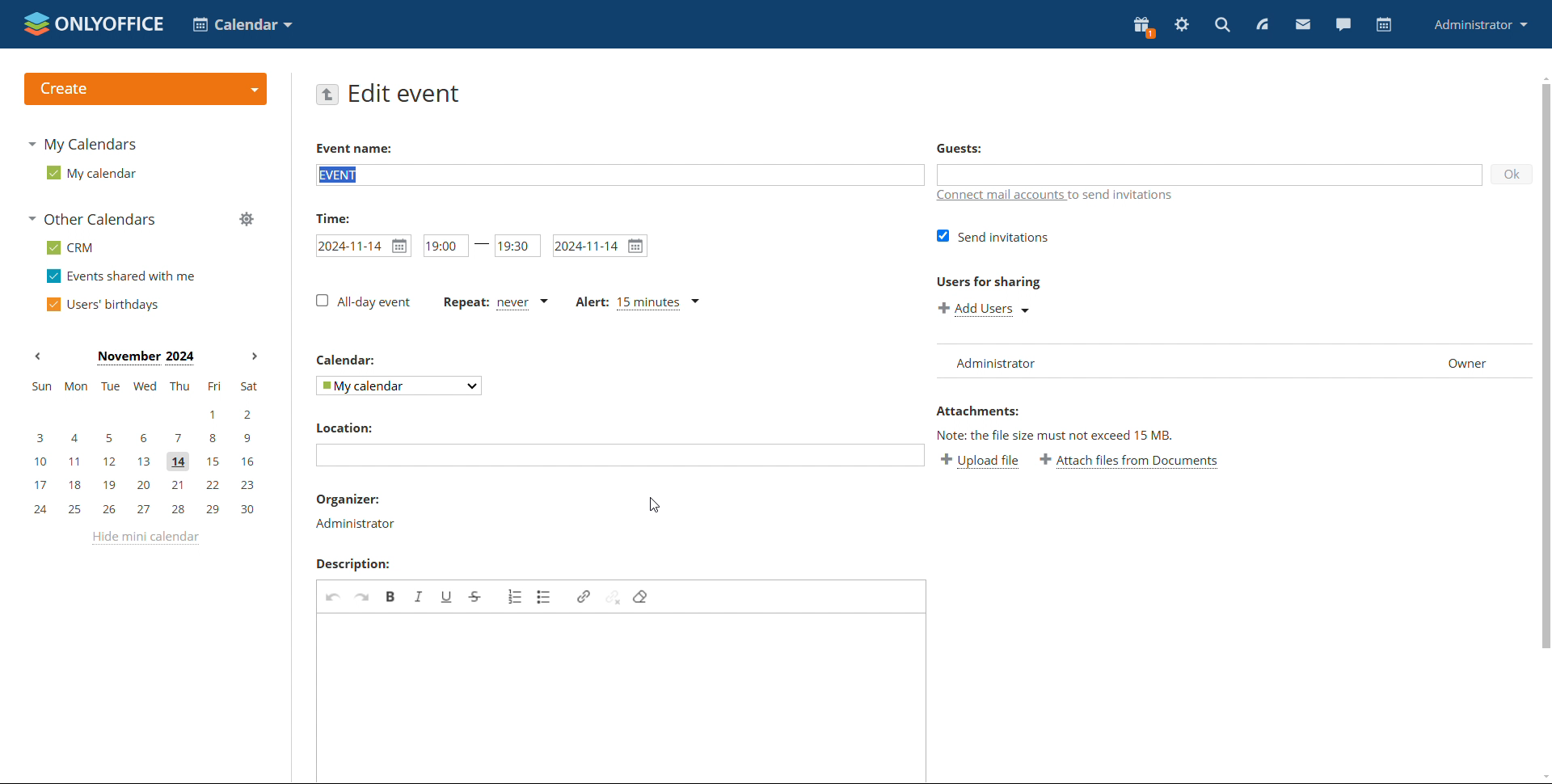  I want to click on select application, so click(242, 24).